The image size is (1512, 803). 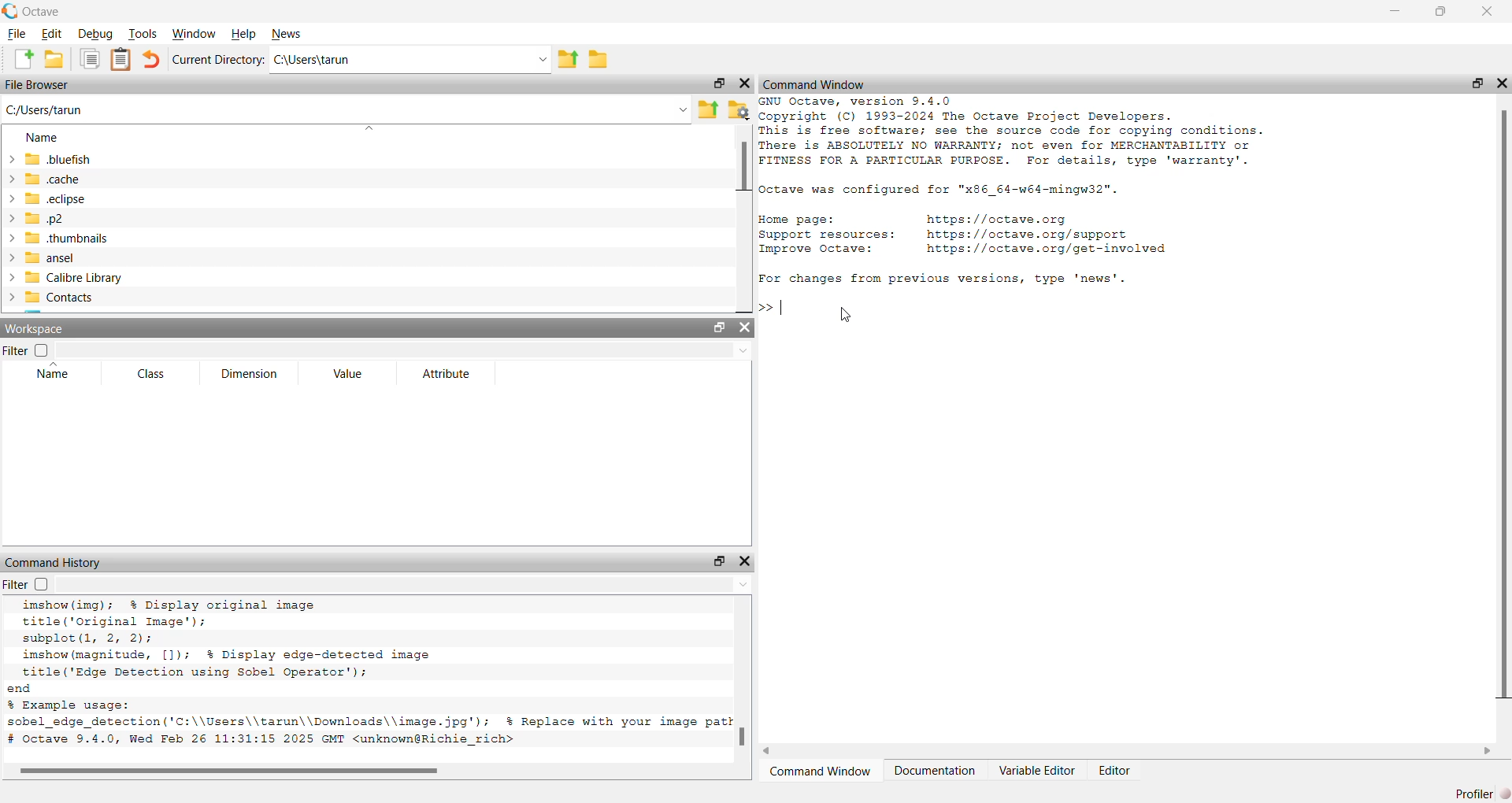 What do you see at coordinates (91, 60) in the screenshot?
I see `documents` at bounding box center [91, 60].